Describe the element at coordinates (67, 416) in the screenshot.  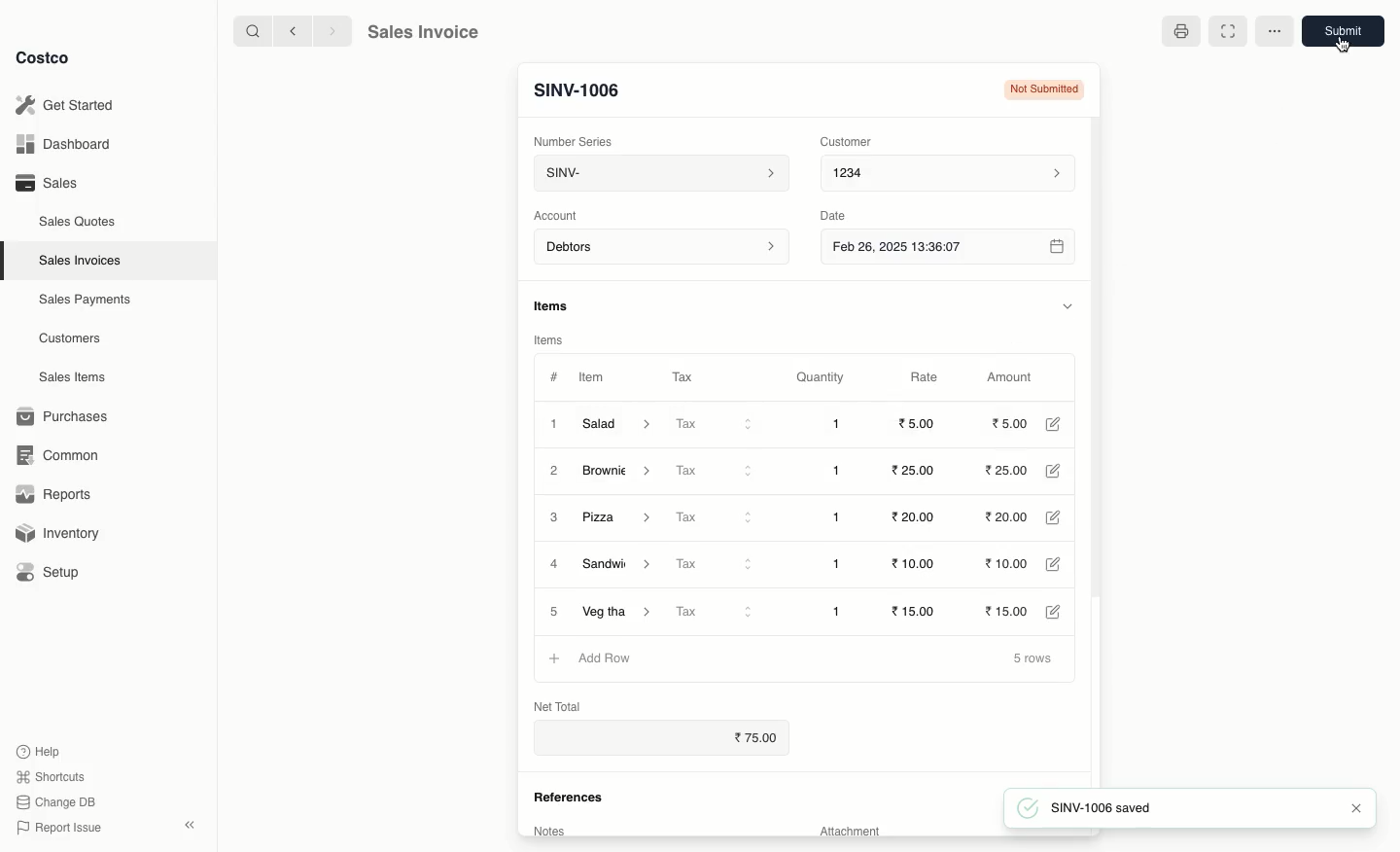
I see `Purchases` at that location.